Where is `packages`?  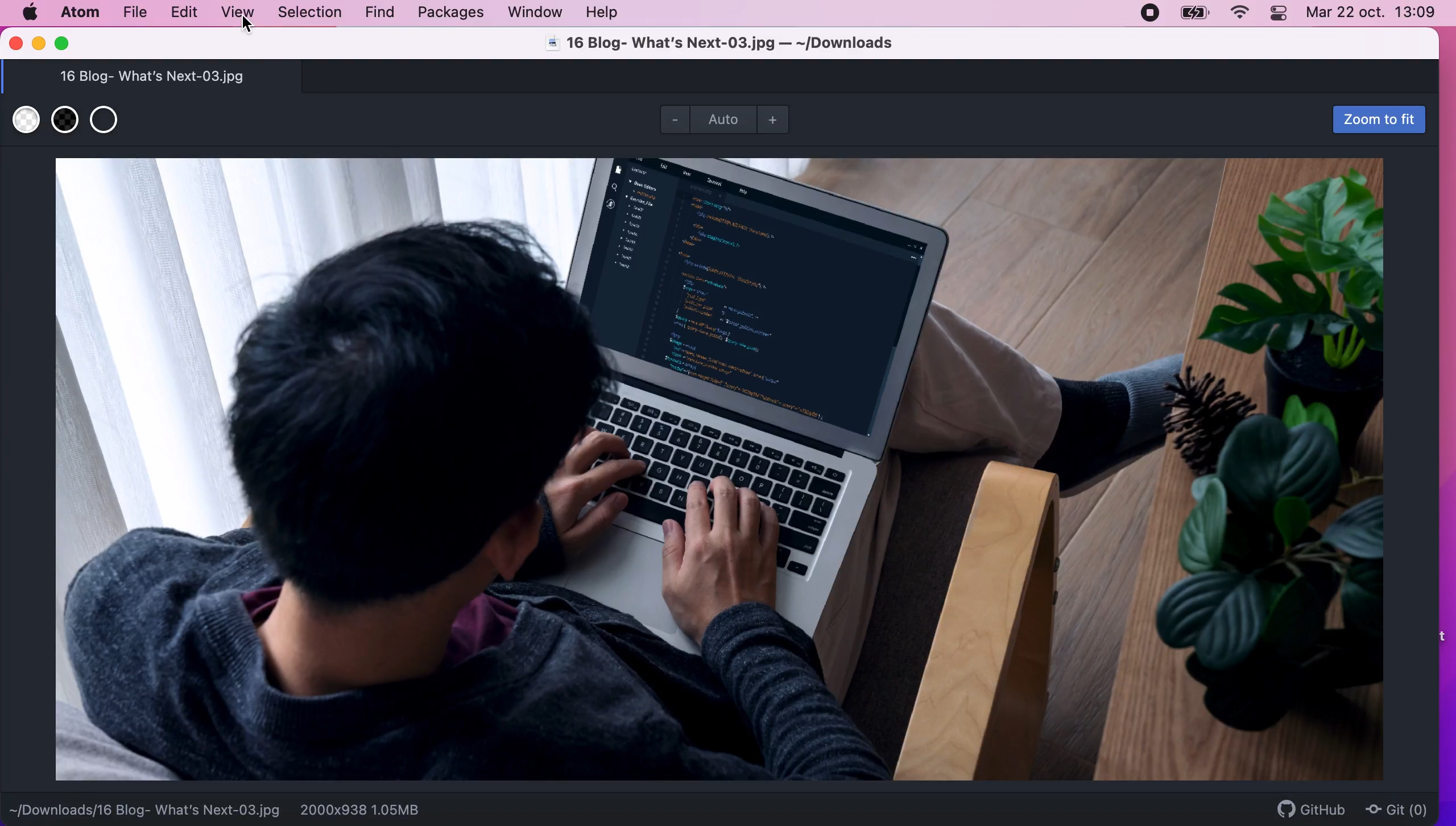
packages is located at coordinates (455, 14).